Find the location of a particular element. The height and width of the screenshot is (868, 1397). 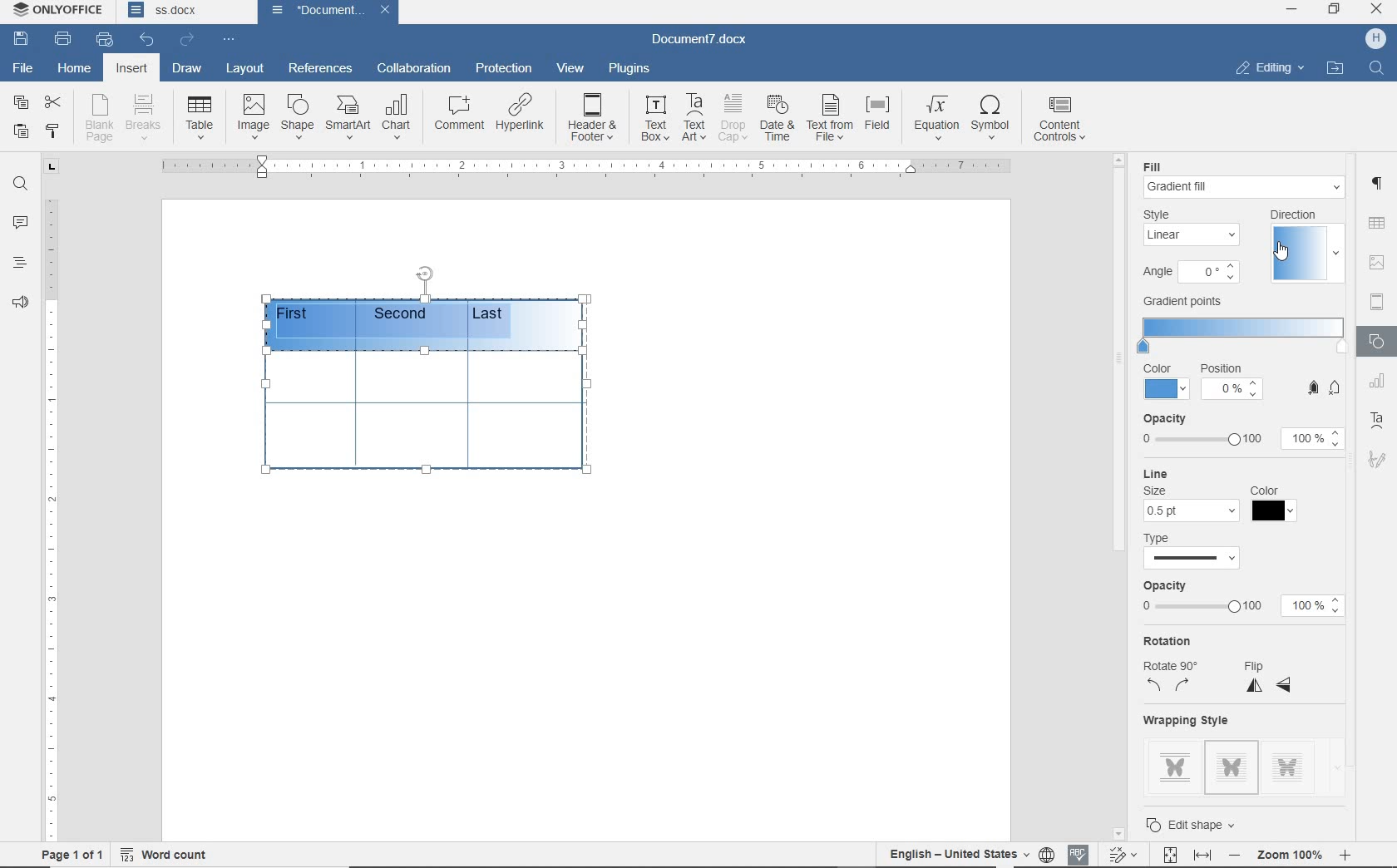

100% is located at coordinates (1313, 606).